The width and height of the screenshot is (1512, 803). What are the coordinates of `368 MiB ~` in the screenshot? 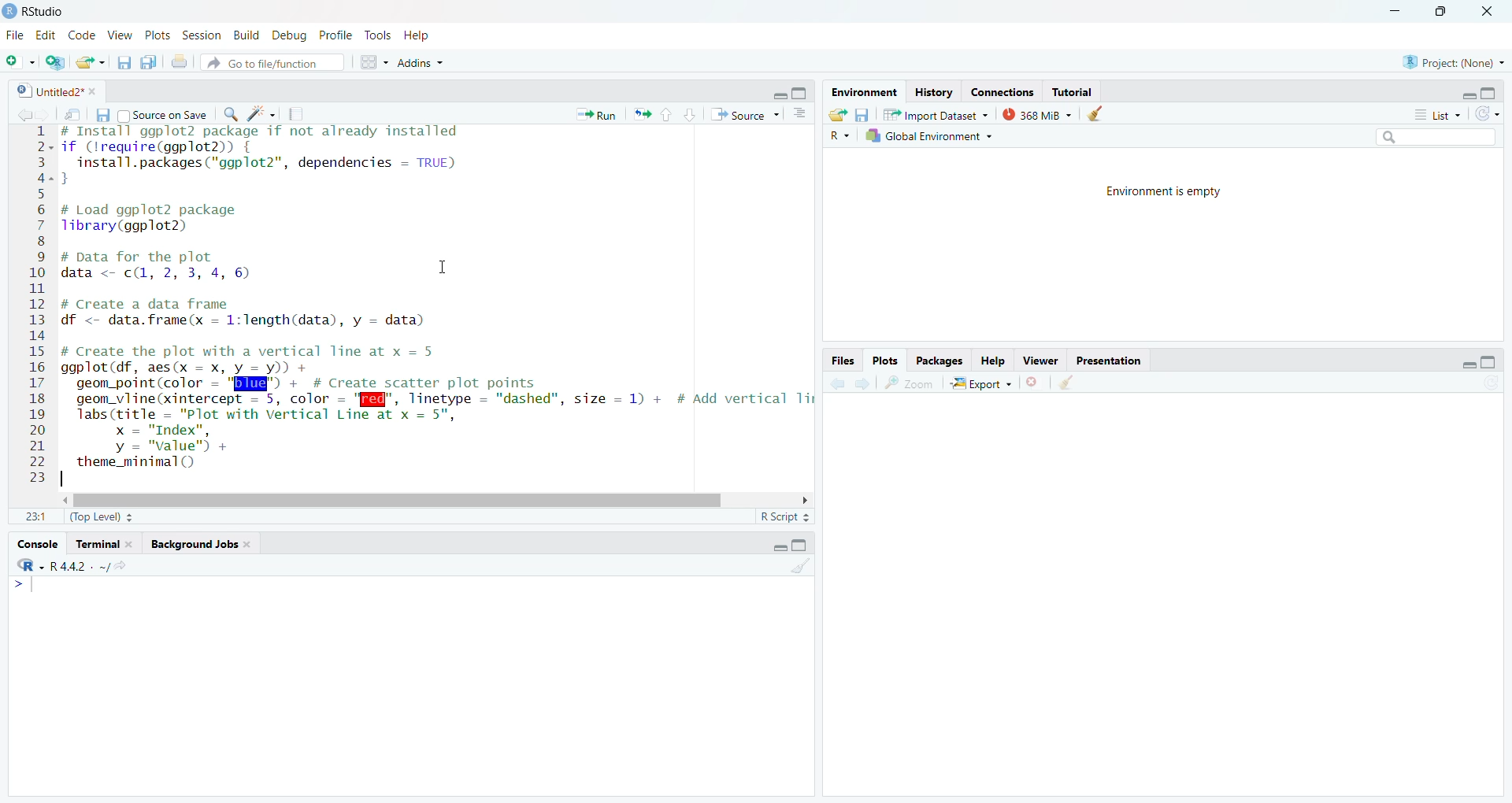 It's located at (1037, 114).